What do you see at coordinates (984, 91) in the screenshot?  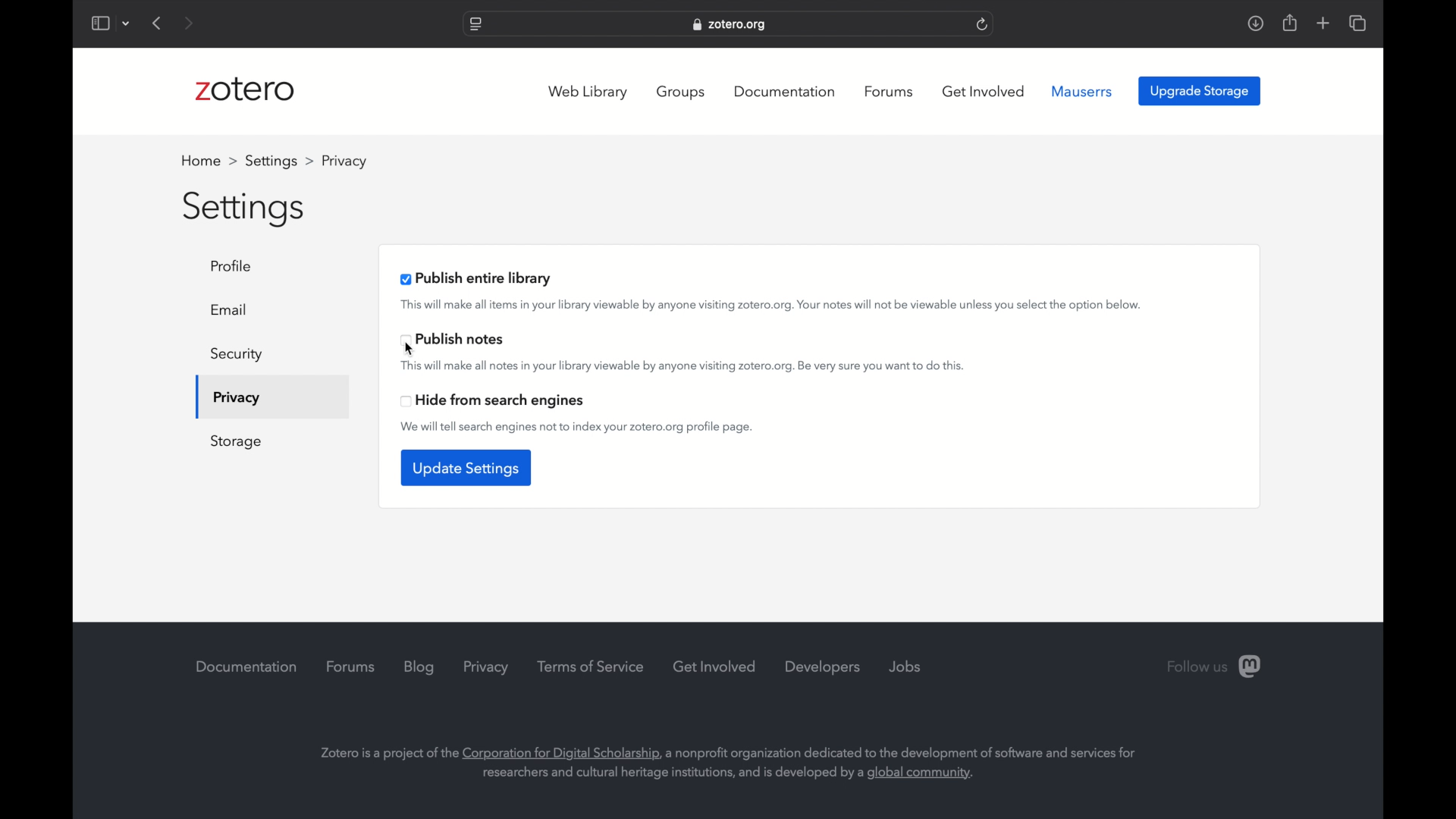 I see `get involved` at bounding box center [984, 91].